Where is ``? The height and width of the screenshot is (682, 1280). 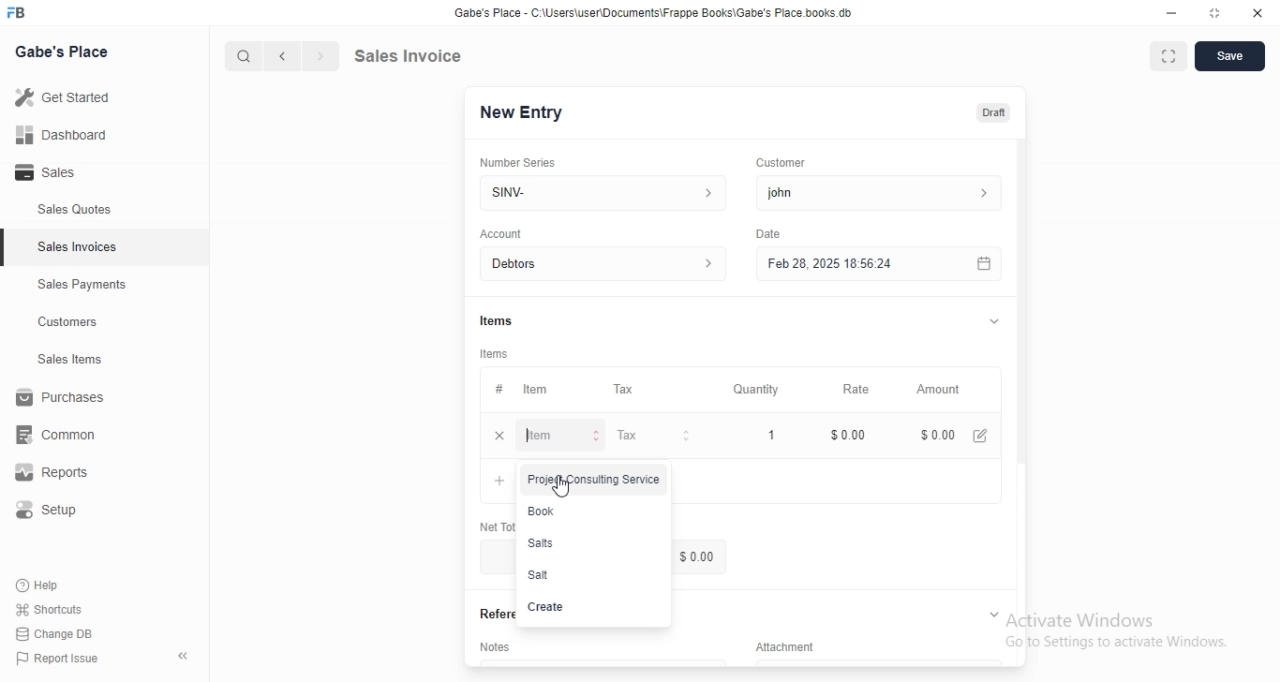
 is located at coordinates (499, 320).